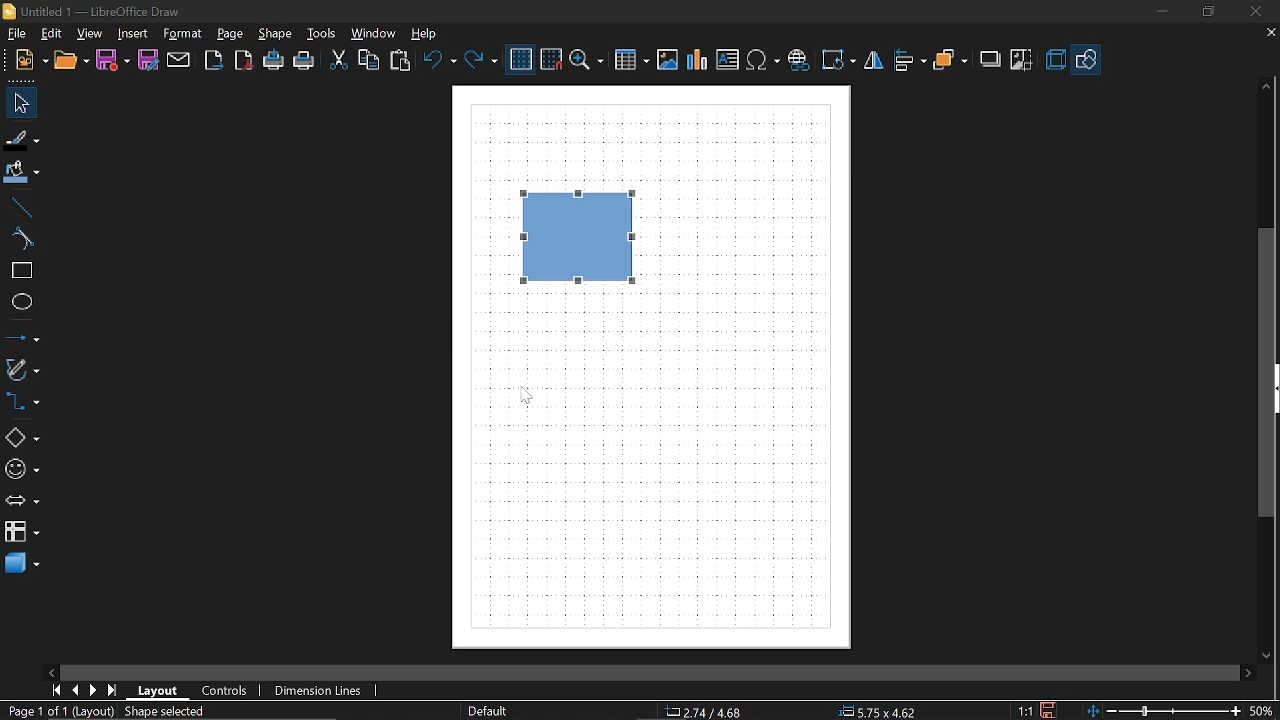  Describe the element at coordinates (23, 466) in the screenshot. I see `Symbol shapes` at that location.